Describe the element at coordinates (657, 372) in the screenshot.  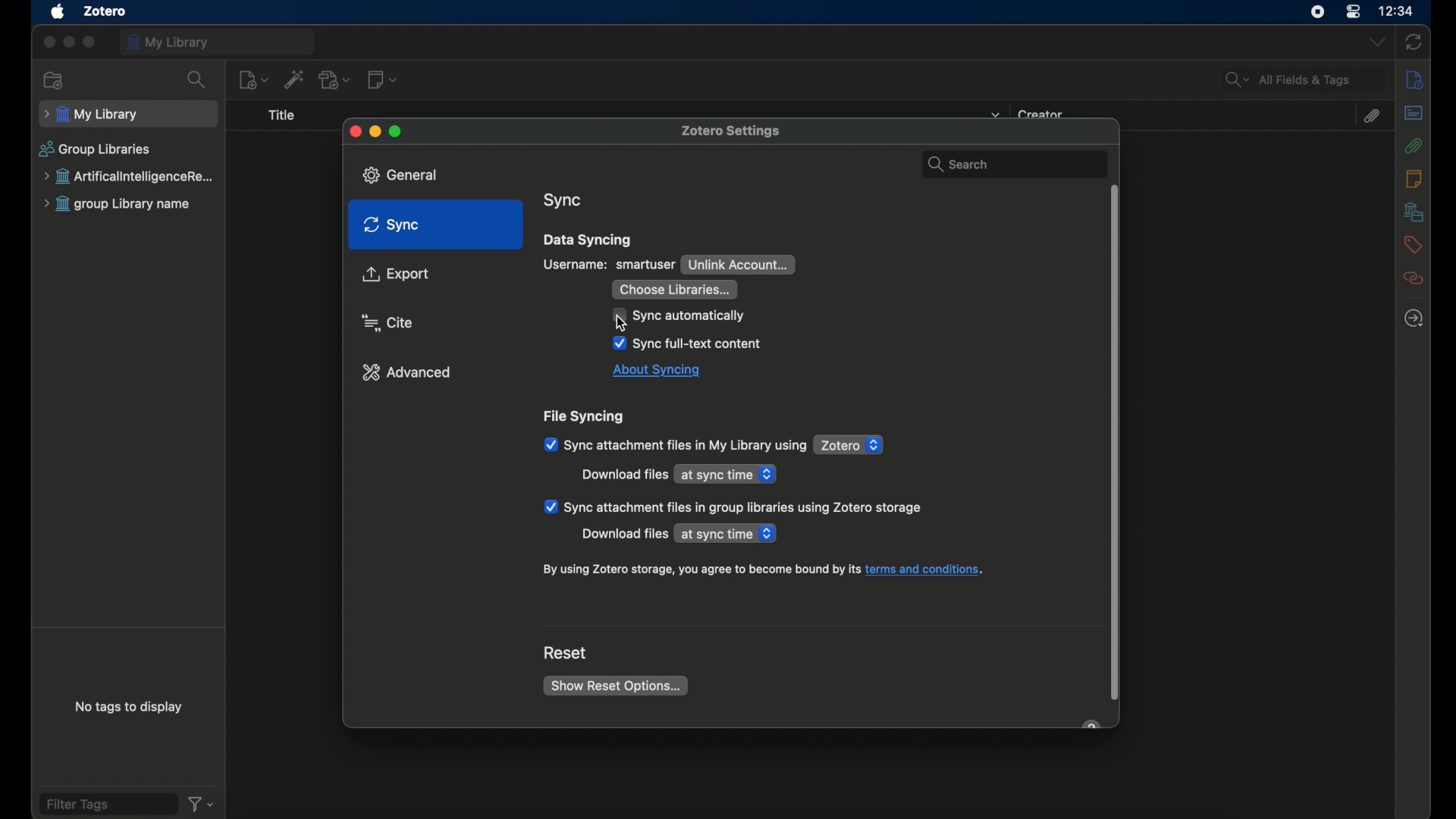
I see `about syncing` at that location.